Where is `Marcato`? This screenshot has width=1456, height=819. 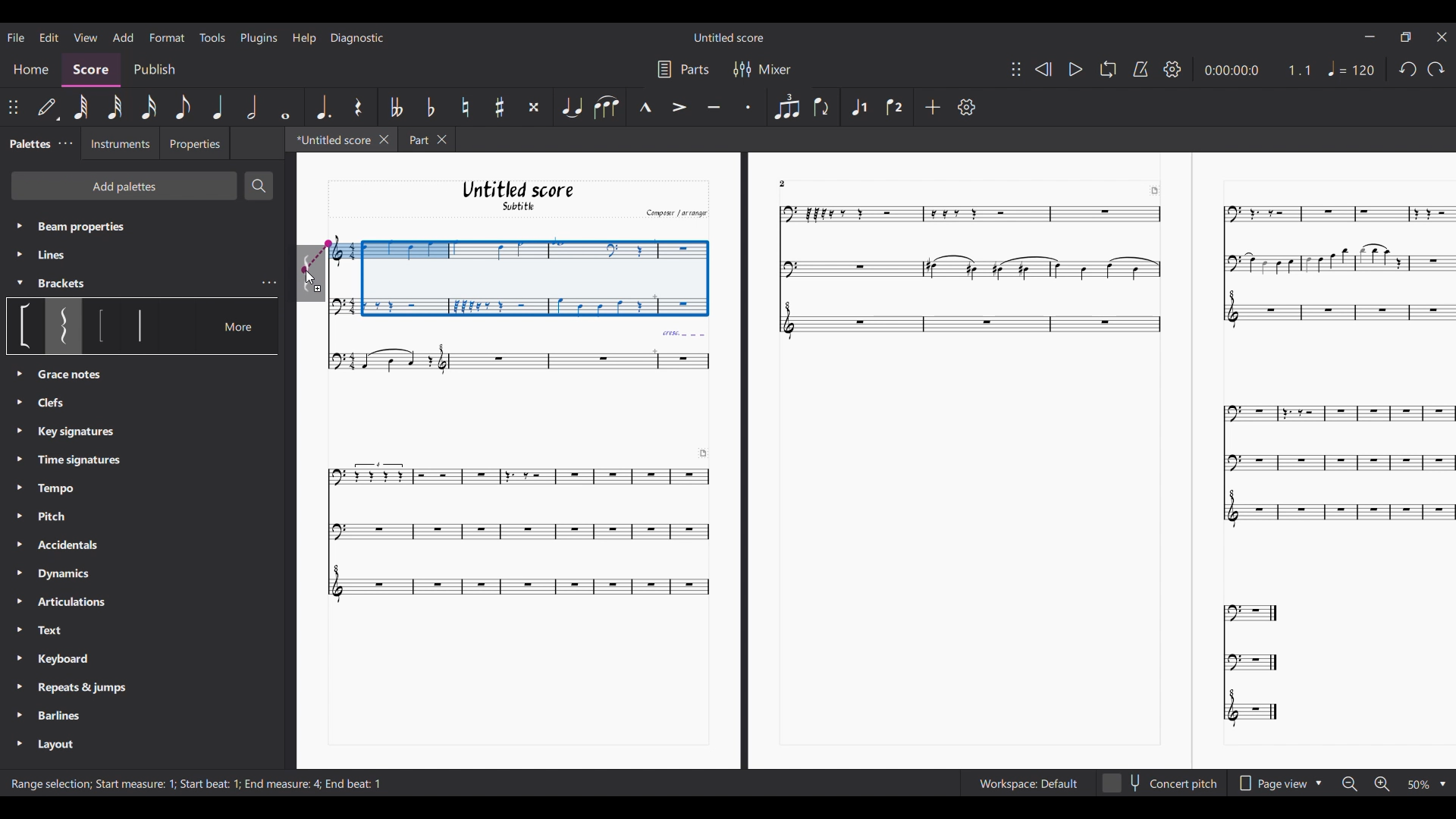 Marcato is located at coordinates (645, 107).